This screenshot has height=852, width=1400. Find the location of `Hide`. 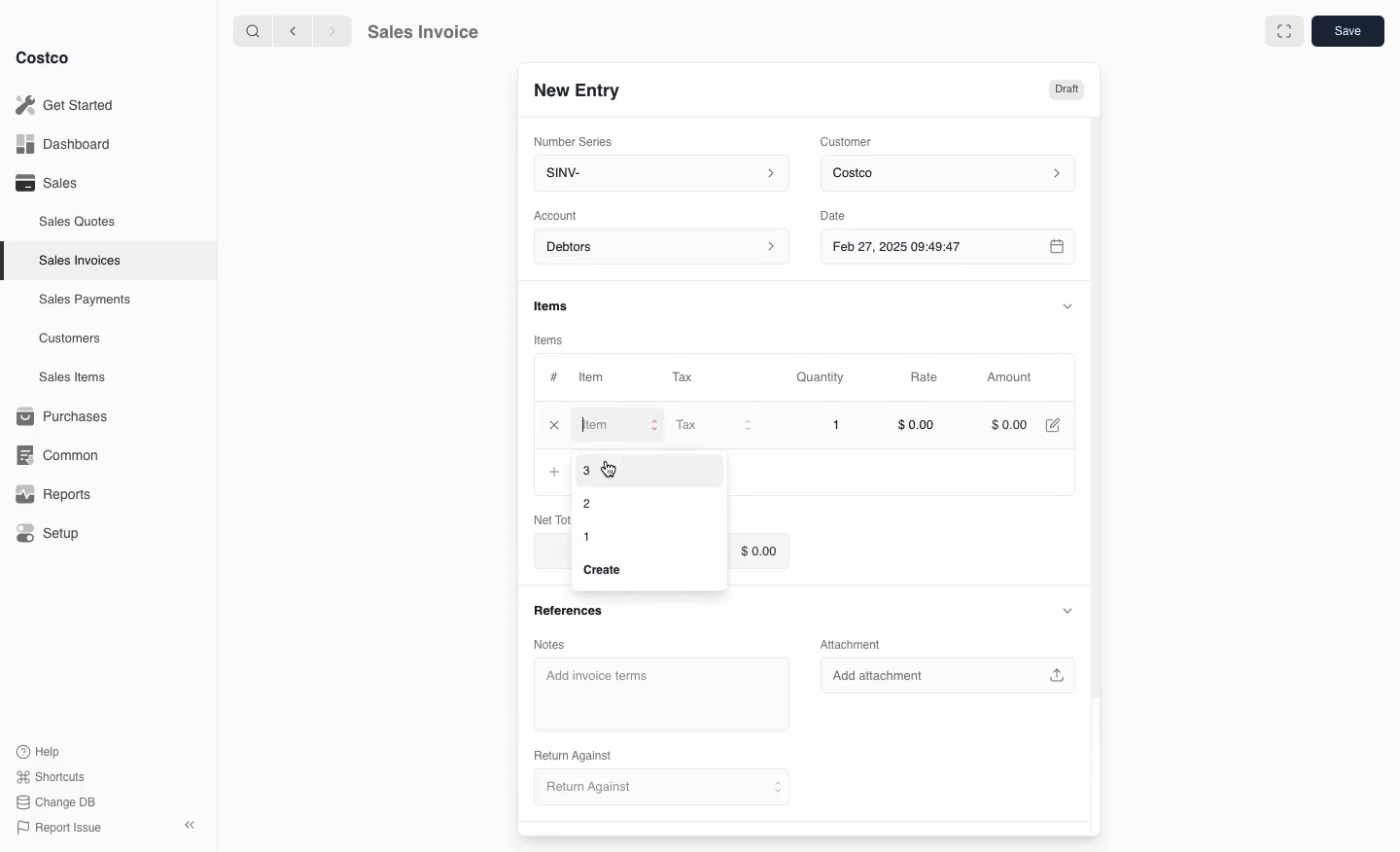

Hide is located at coordinates (1067, 611).